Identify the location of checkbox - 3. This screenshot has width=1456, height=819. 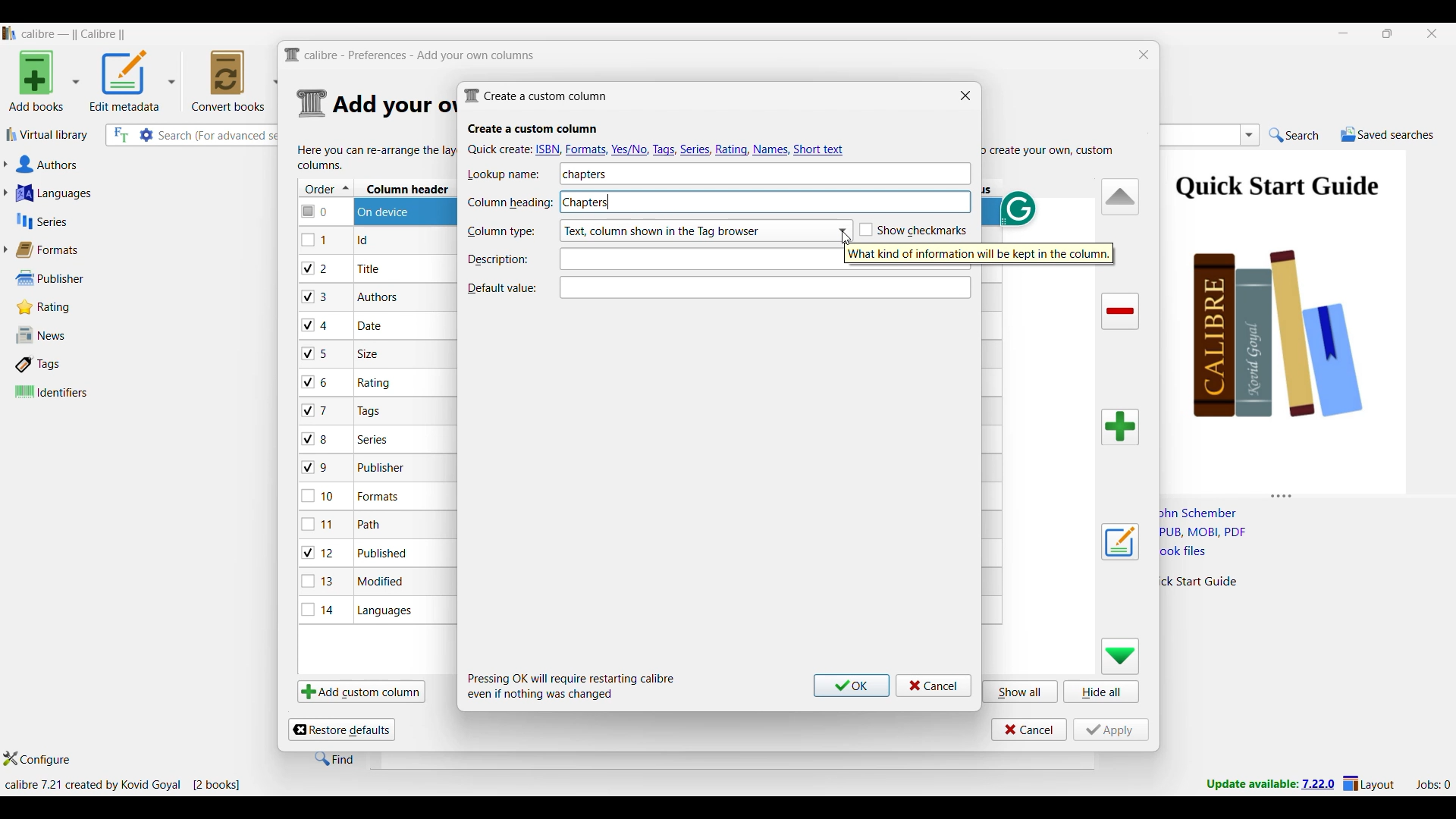
(316, 297).